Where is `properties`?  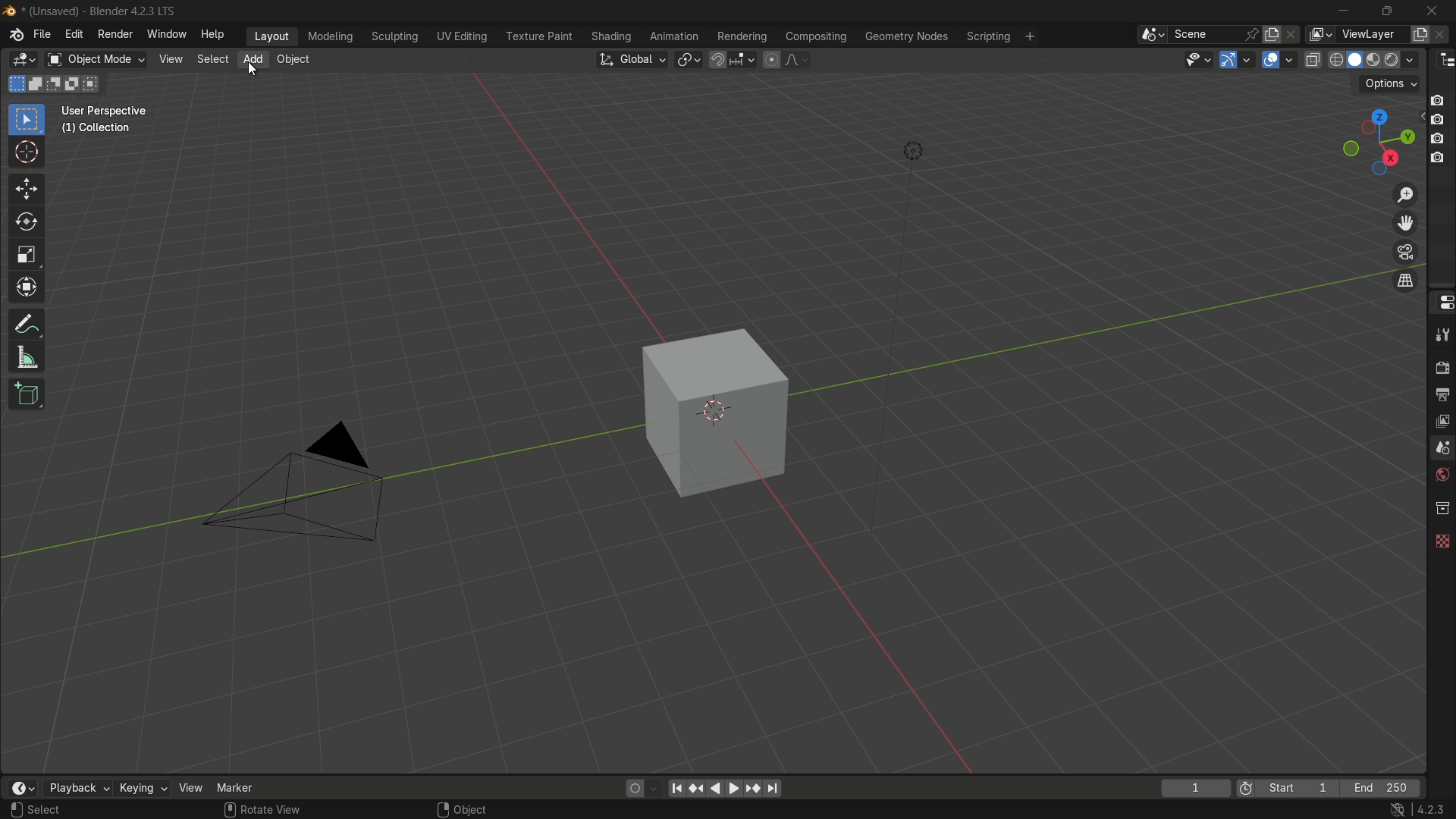
properties is located at coordinates (1442, 303).